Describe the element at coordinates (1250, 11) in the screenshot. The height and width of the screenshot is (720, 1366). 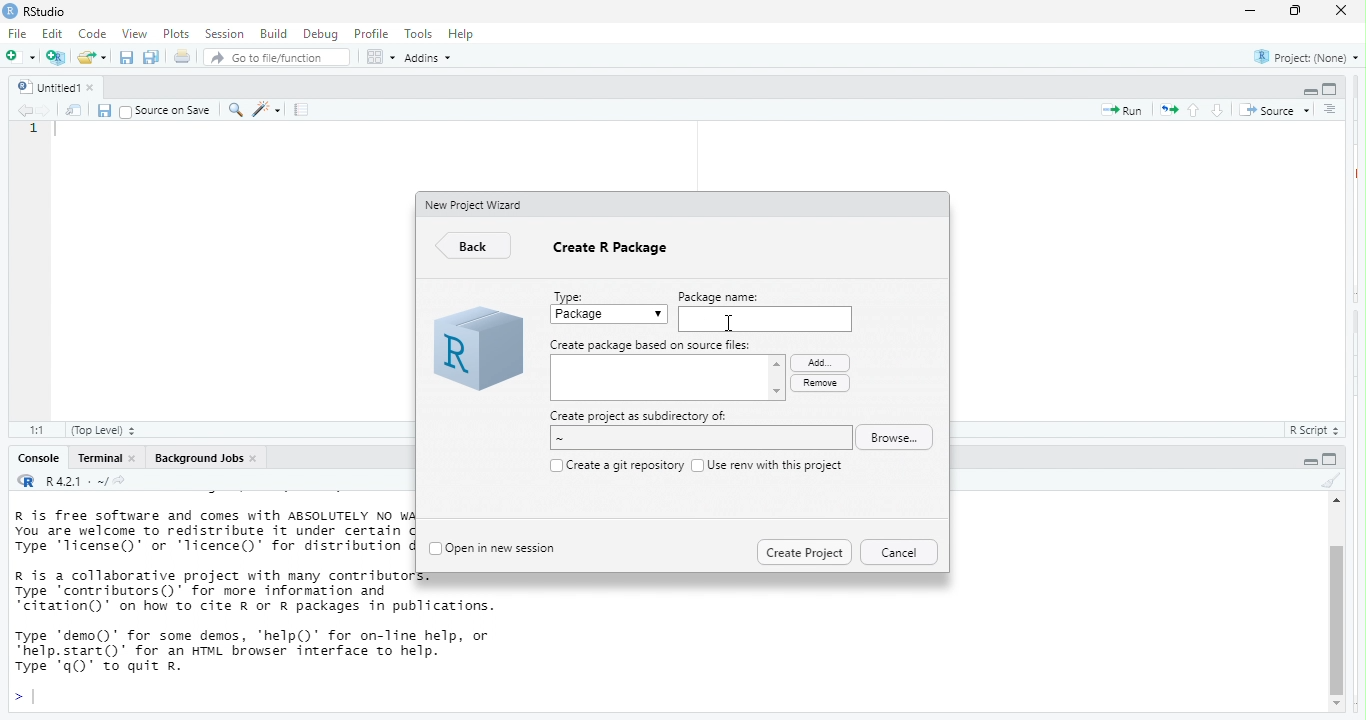
I see `minimize` at that location.